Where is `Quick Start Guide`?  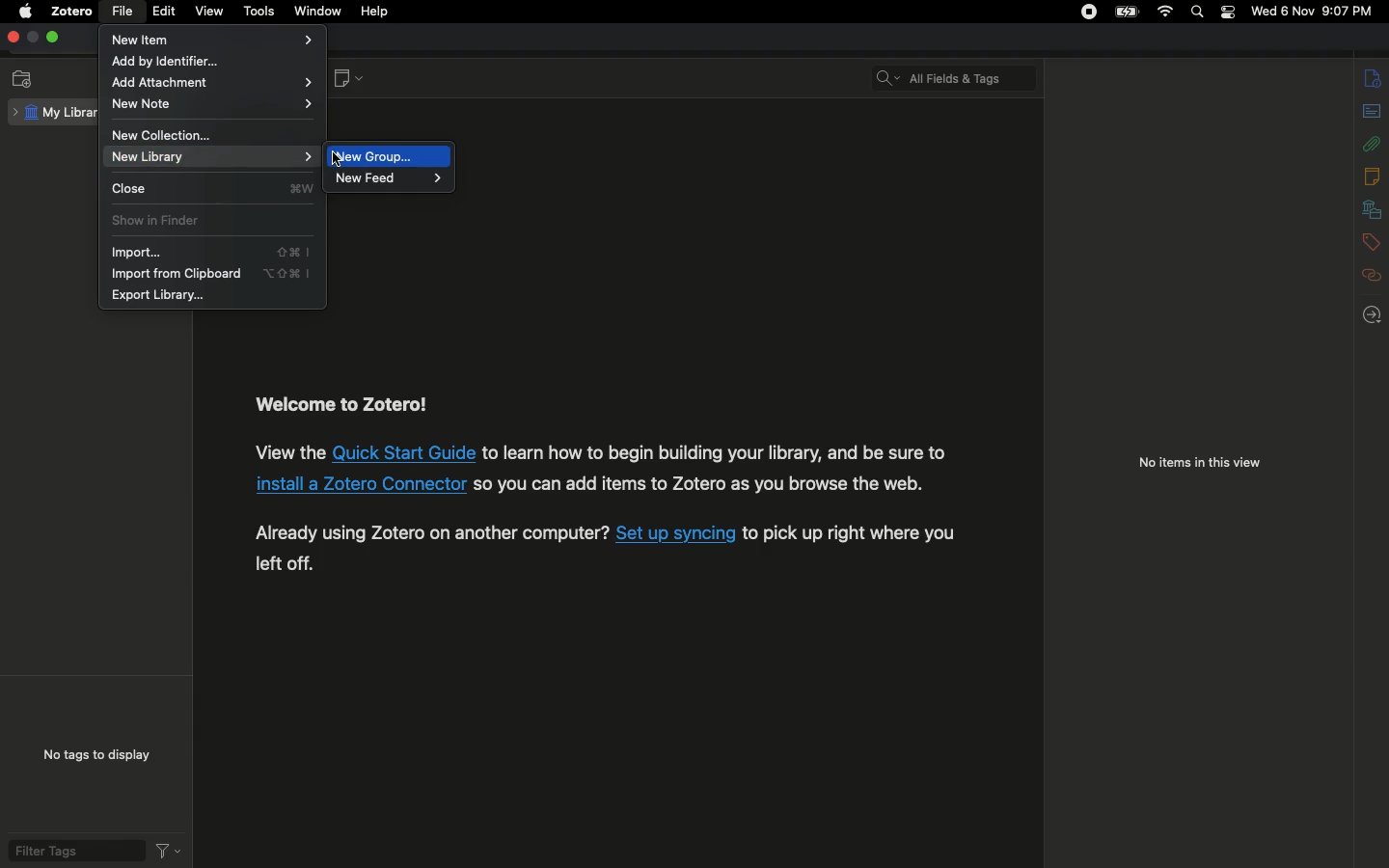
Quick Start Guide is located at coordinates (404, 452).